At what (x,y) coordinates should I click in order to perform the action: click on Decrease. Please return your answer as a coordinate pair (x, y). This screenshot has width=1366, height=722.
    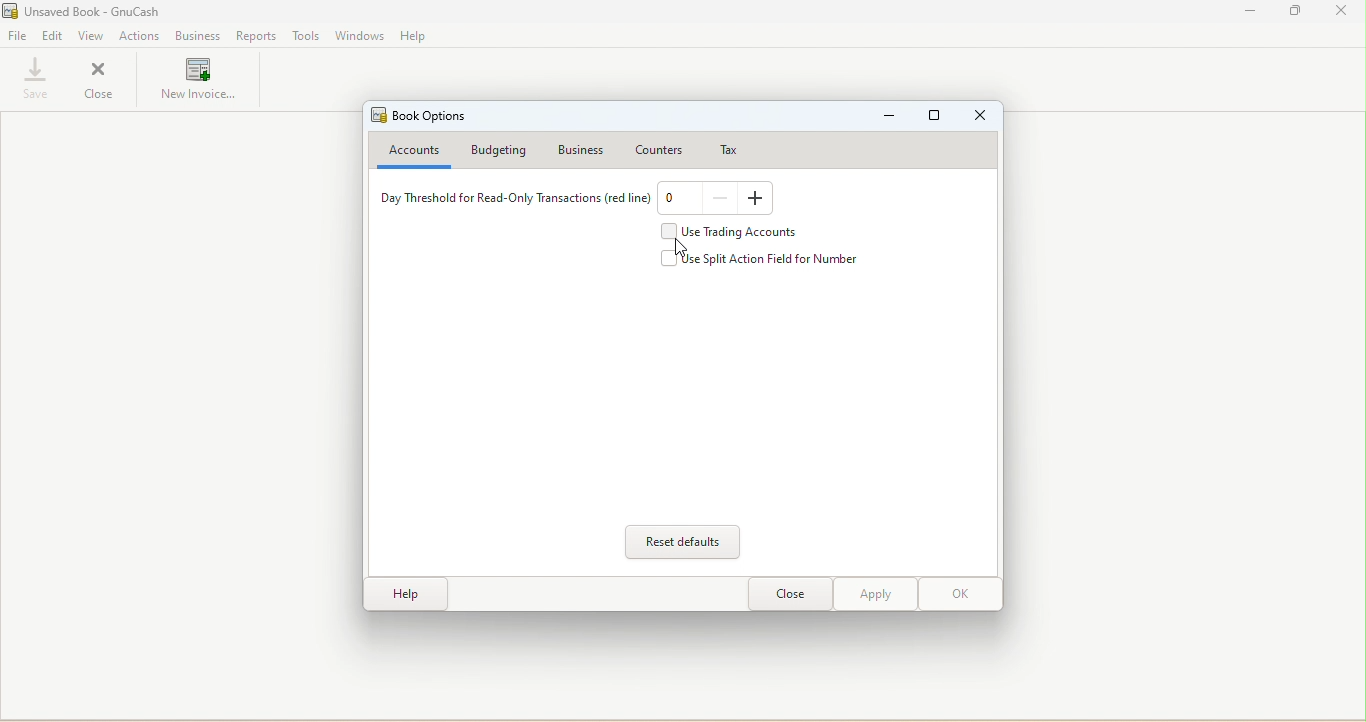
    Looking at the image, I should click on (722, 199).